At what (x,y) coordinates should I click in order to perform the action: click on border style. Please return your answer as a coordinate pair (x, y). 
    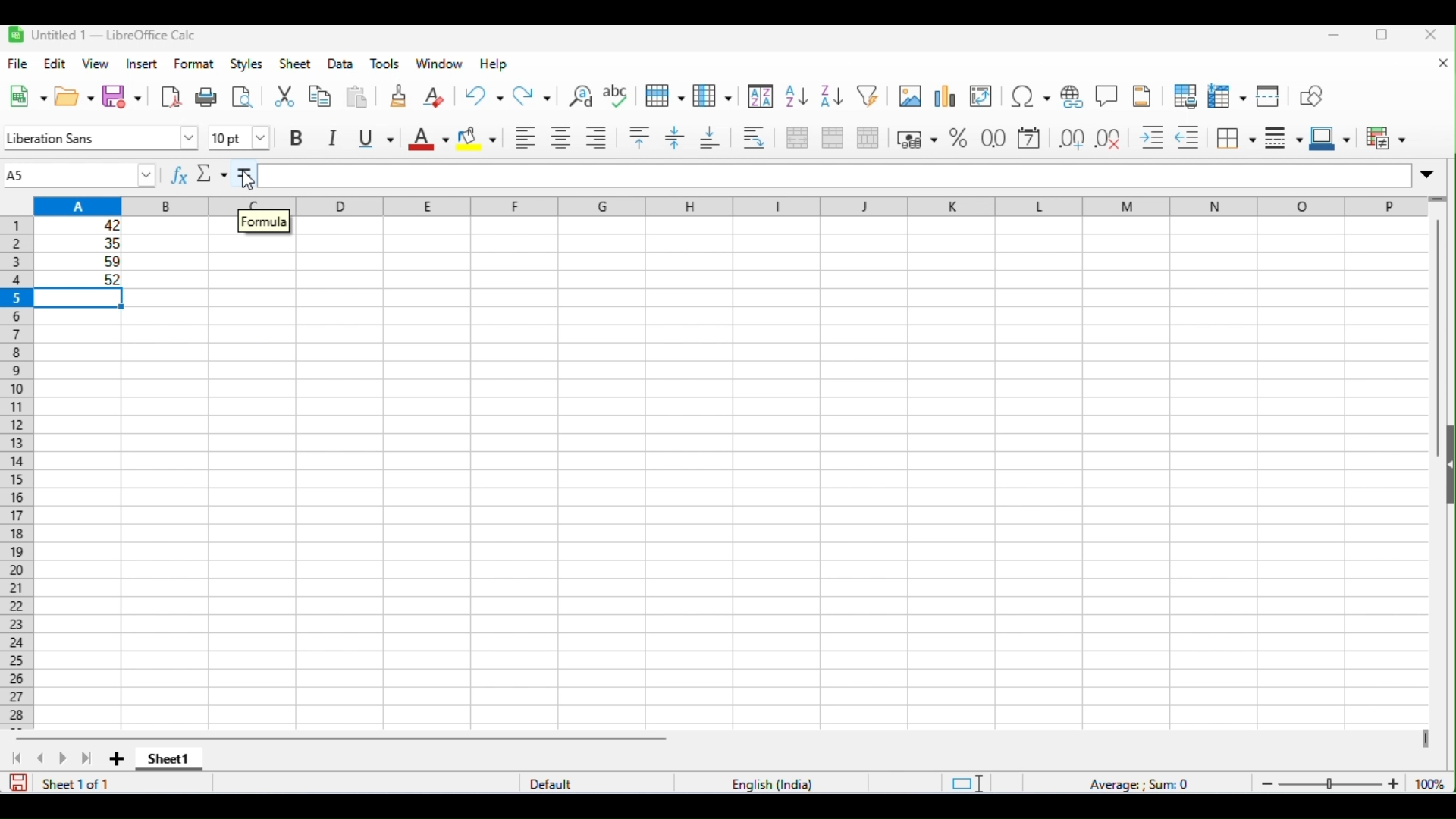
    Looking at the image, I should click on (1280, 140).